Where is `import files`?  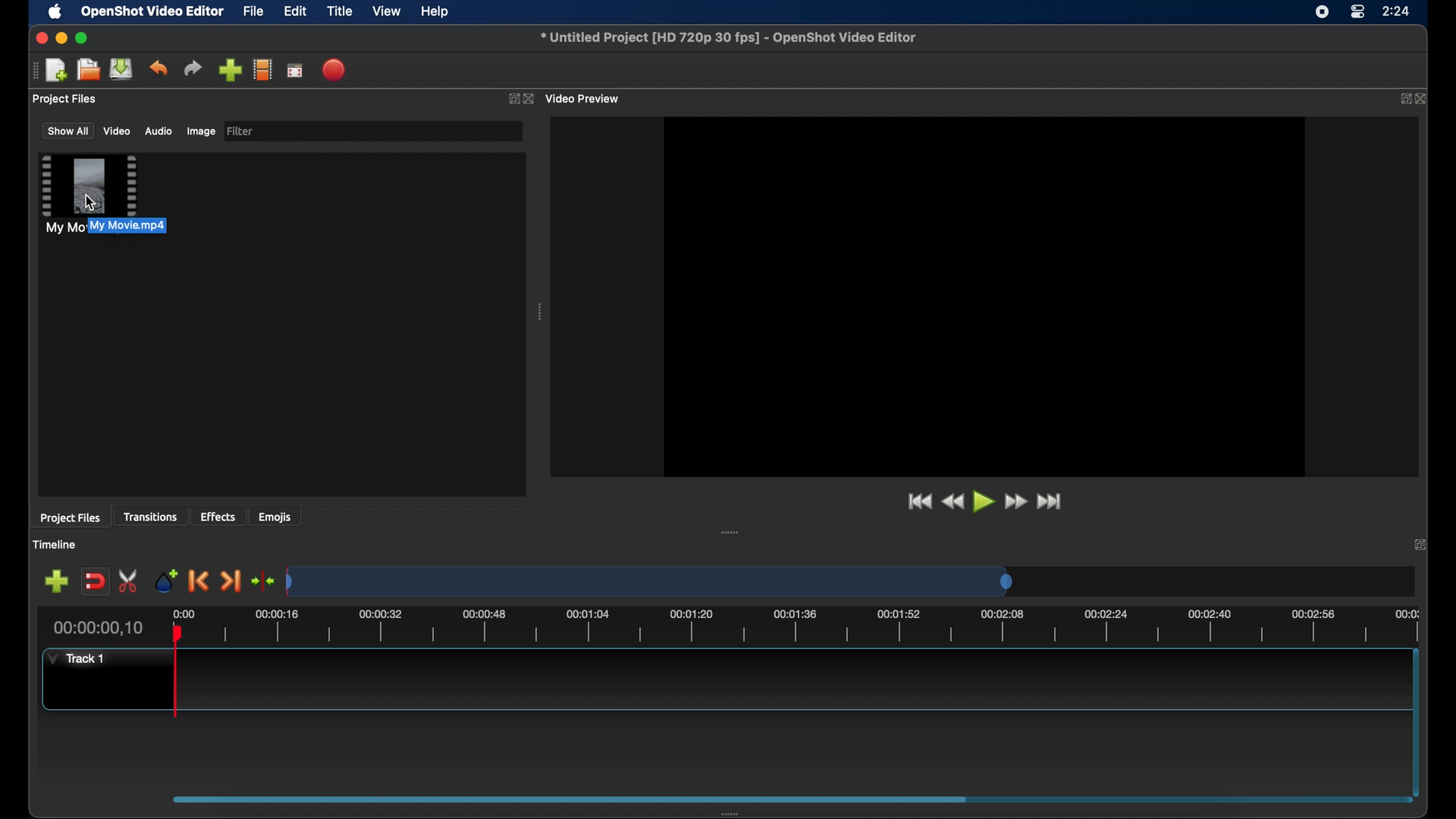 import files is located at coordinates (229, 70).